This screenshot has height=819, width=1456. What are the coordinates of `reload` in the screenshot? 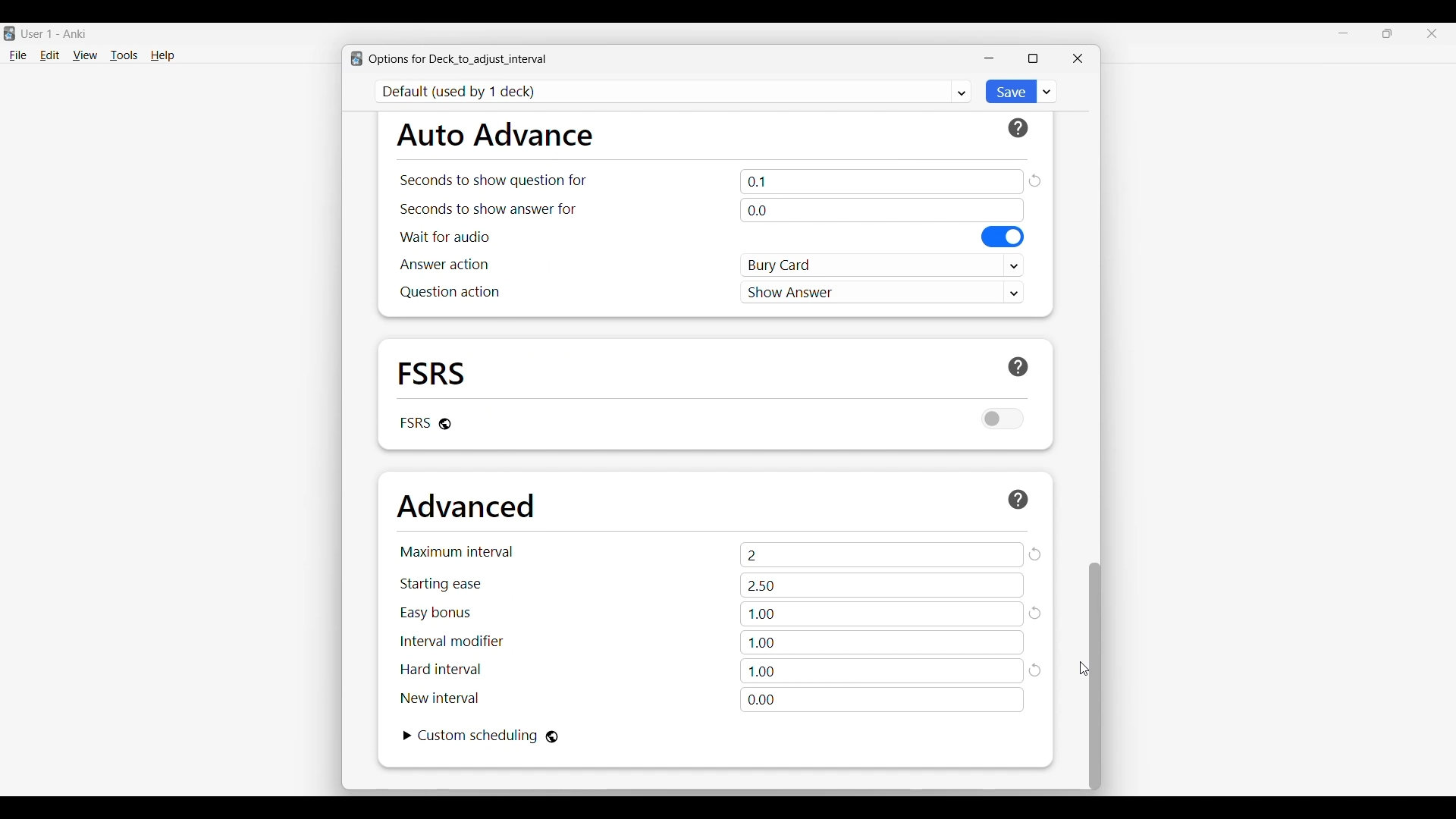 It's located at (1035, 554).